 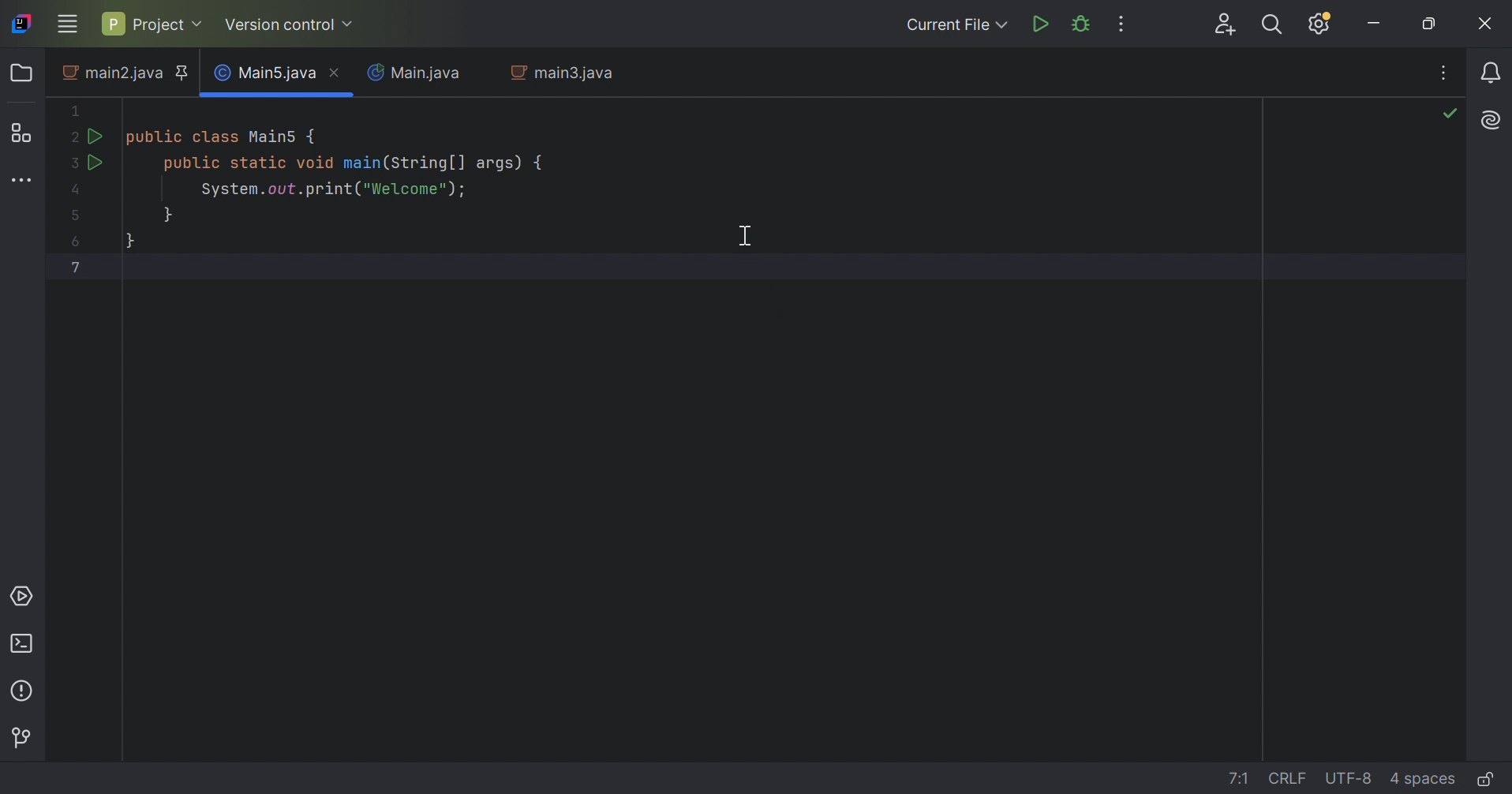 I want to click on Minimize, so click(x=1373, y=23).